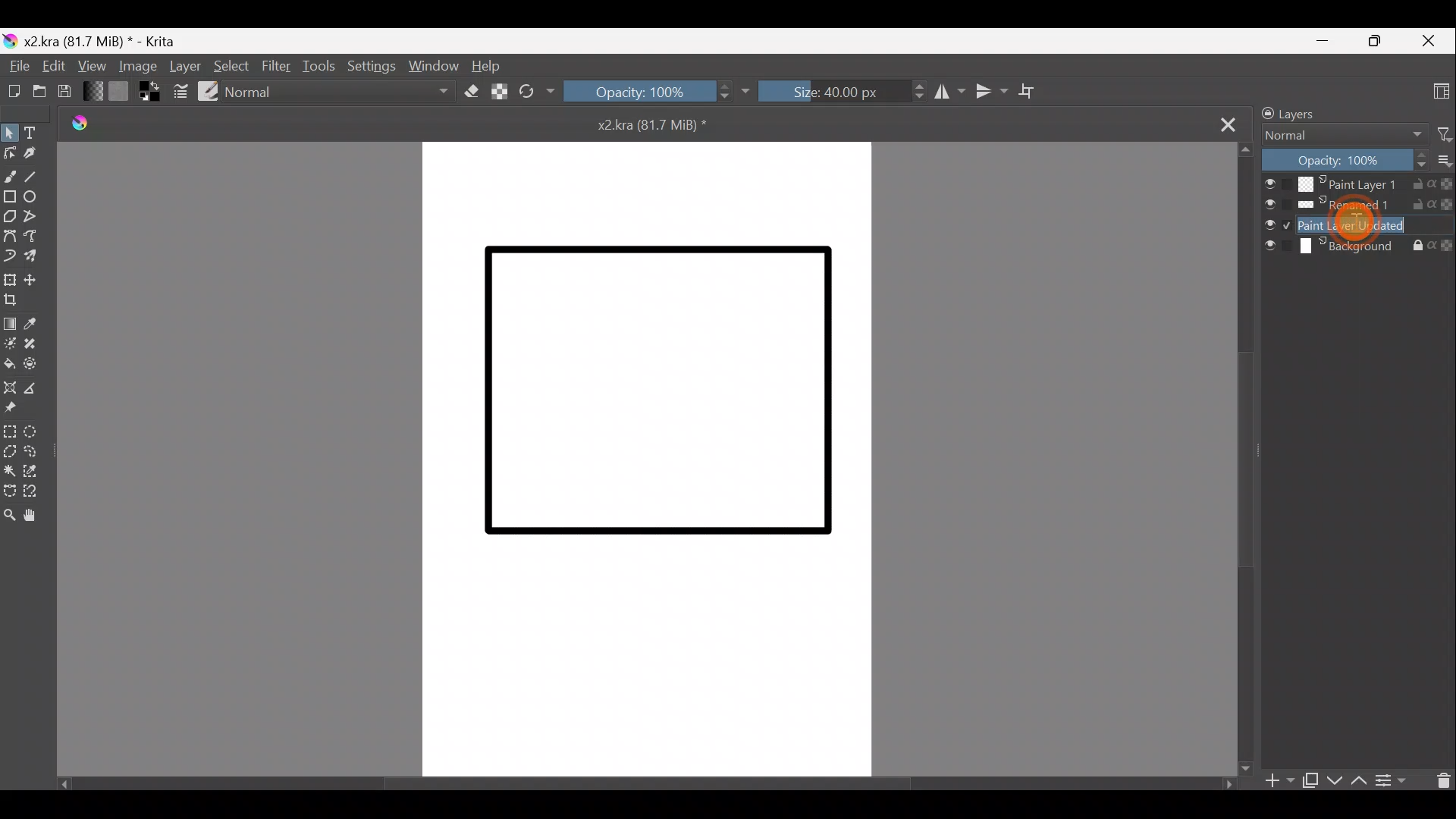 The height and width of the screenshot is (819, 1456). What do you see at coordinates (183, 65) in the screenshot?
I see `Layer` at bounding box center [183, 65].